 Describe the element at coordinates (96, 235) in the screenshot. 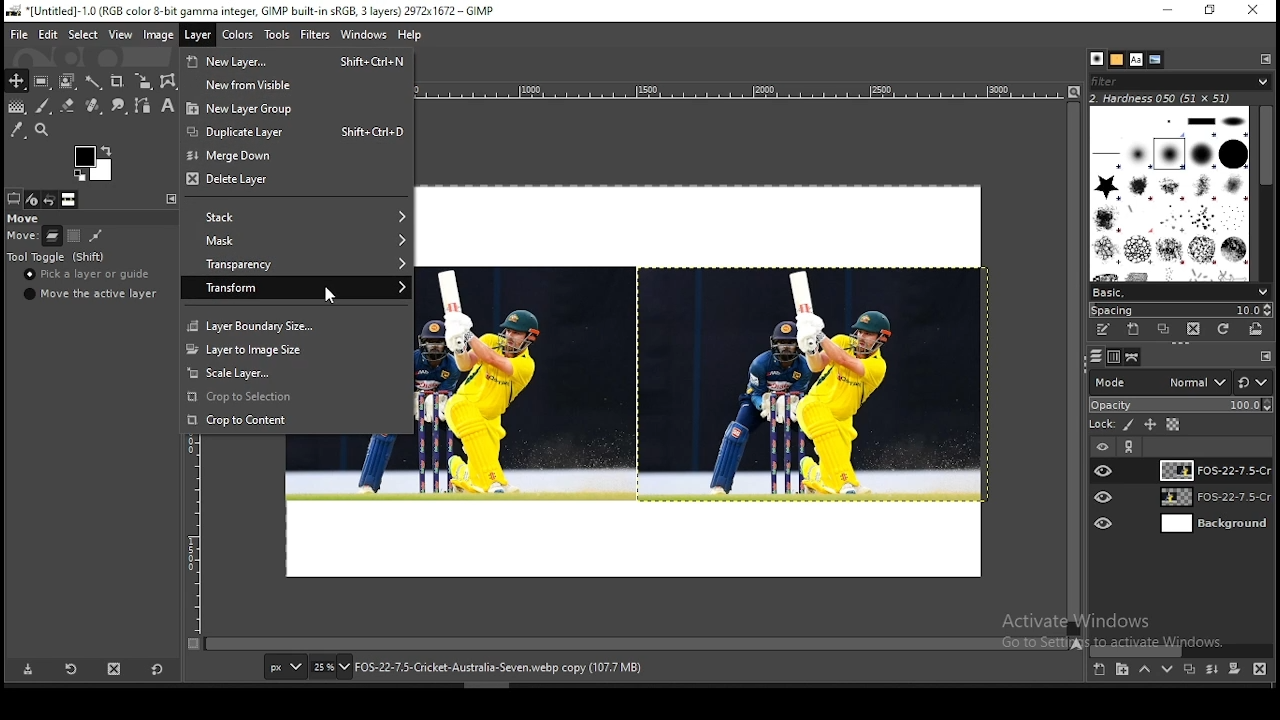

I see `move paths` at that location.